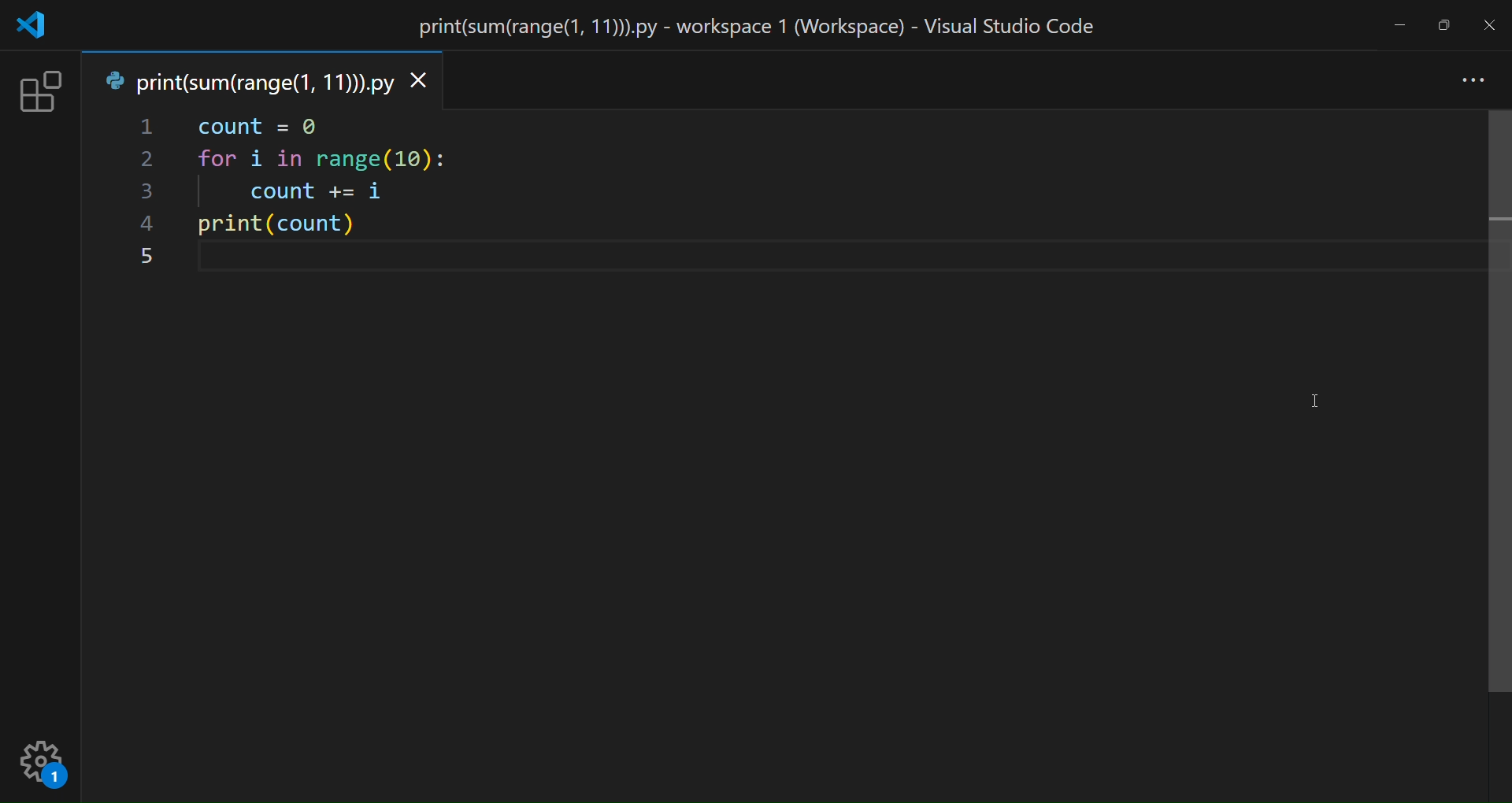 The height and width of the screenshot is (803, 1512). I want to click on line number, so click(146, 193).